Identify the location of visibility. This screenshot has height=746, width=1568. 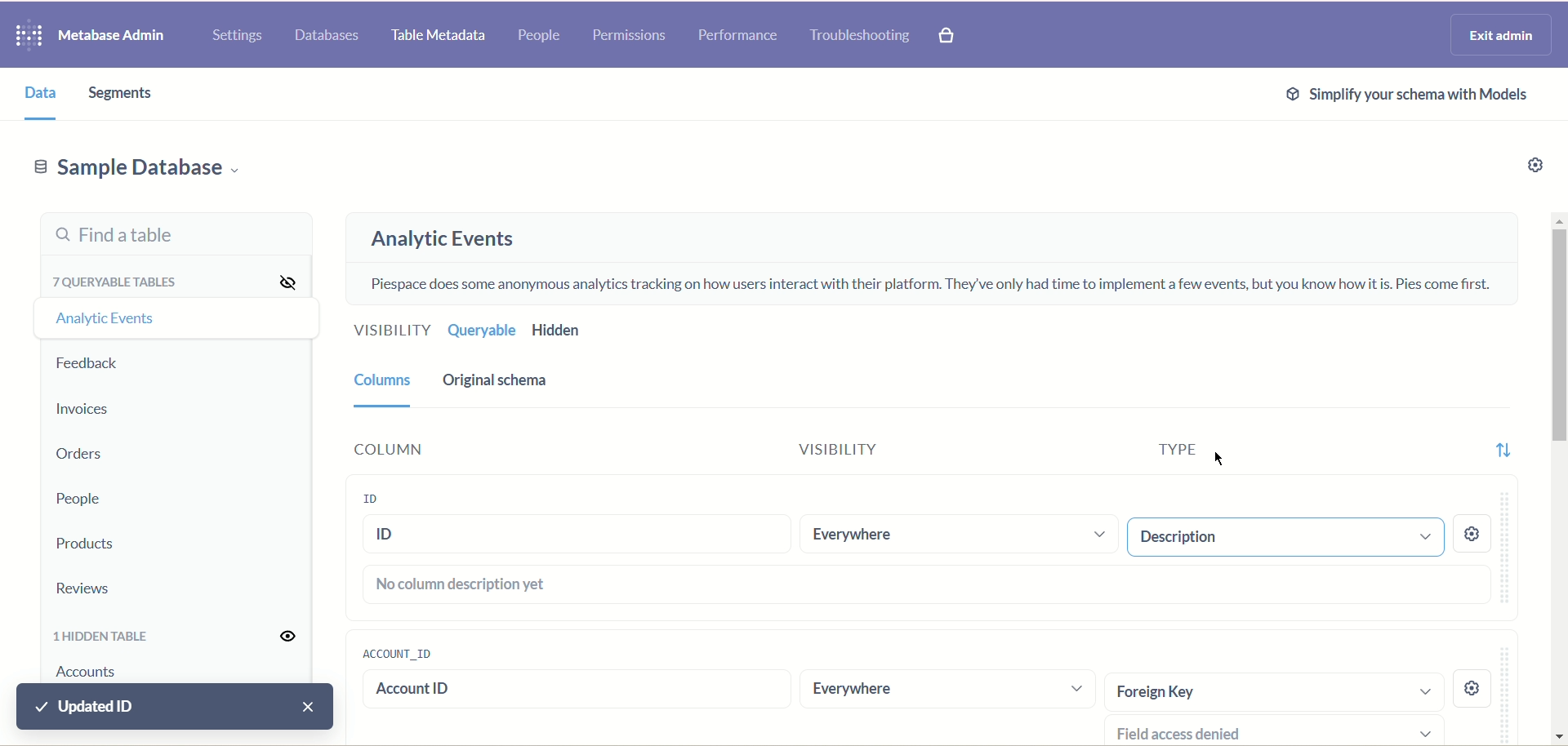
(391, 328).